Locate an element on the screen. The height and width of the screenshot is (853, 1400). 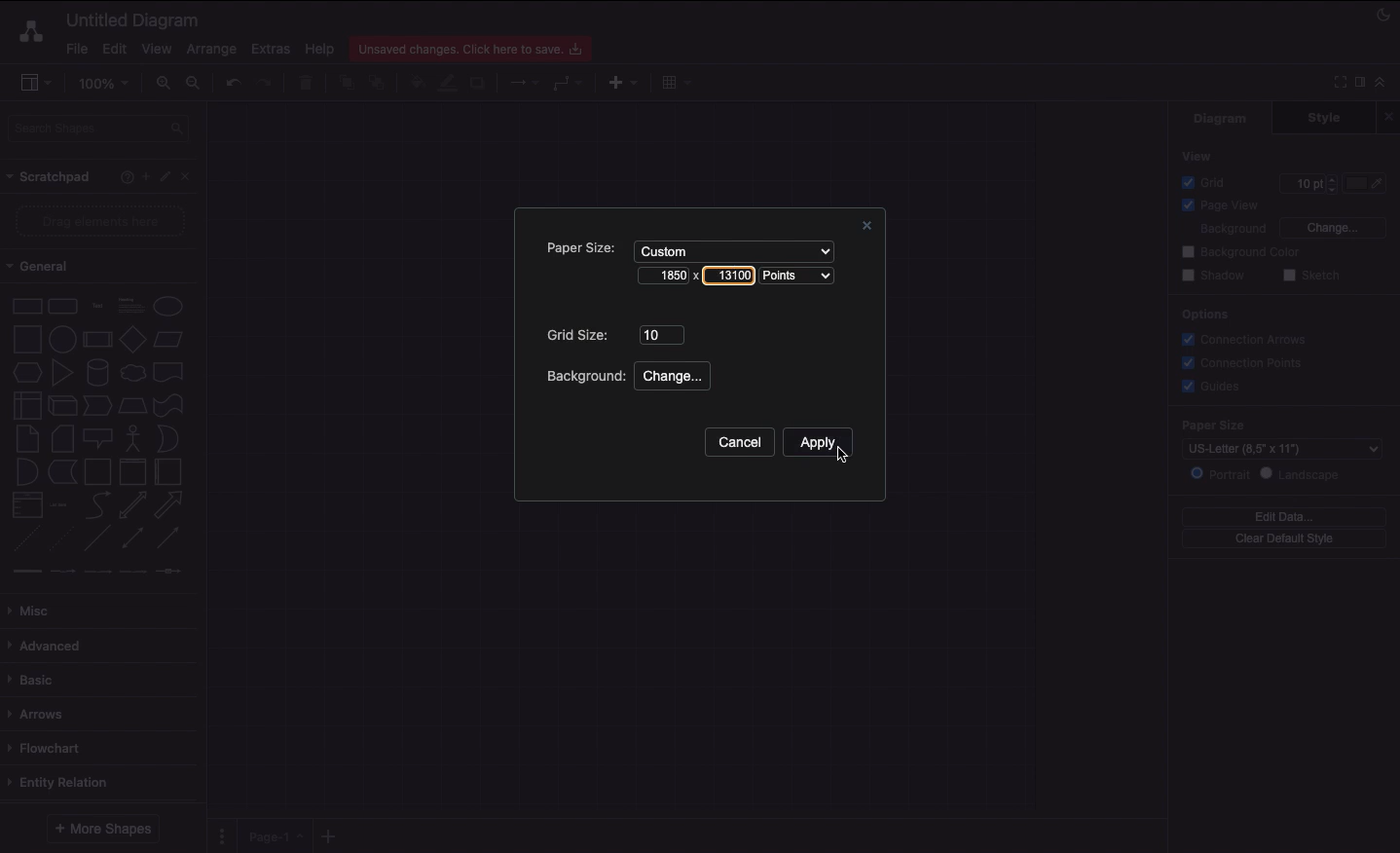
13100 is located at coordinates (727, 275).